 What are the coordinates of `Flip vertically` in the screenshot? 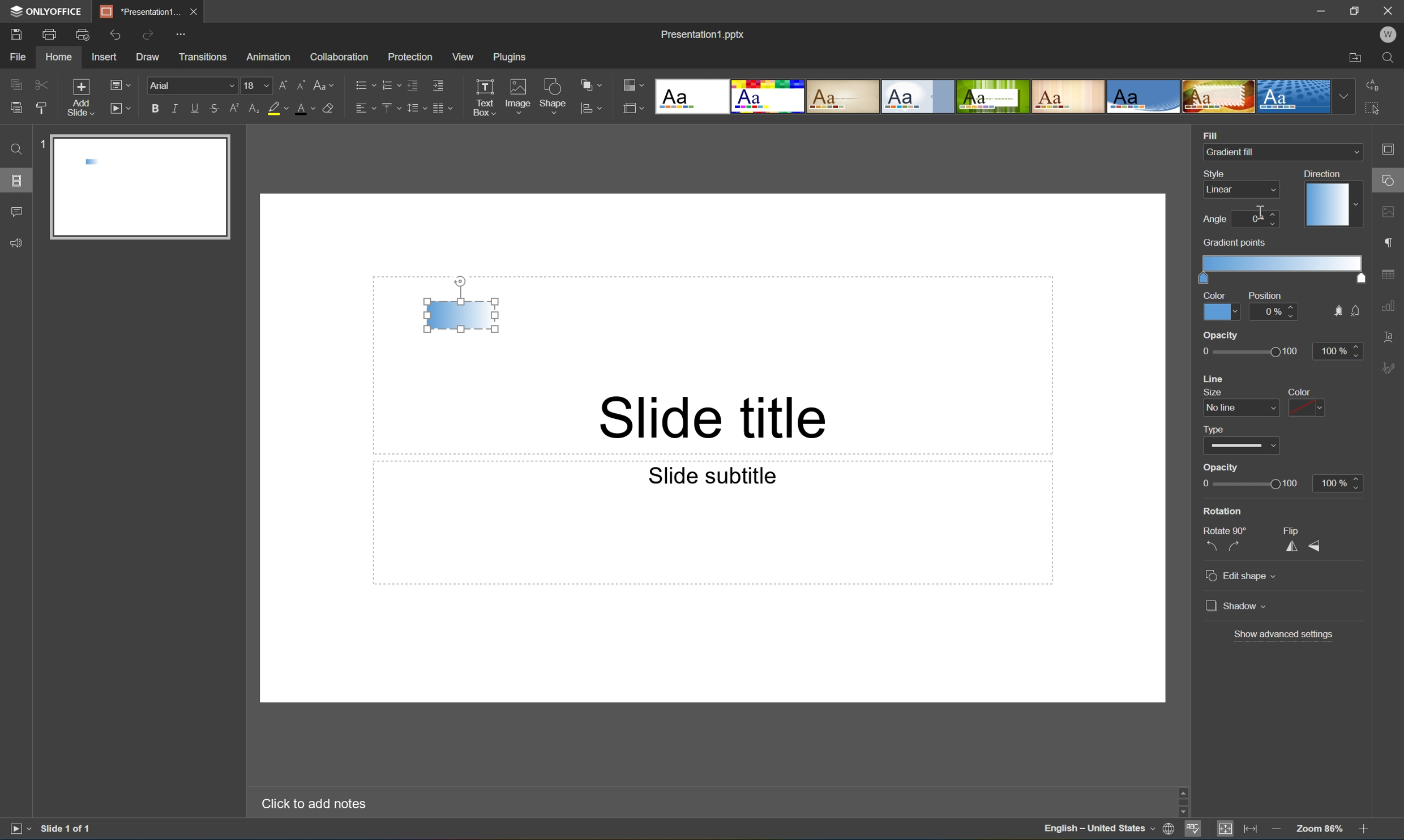 It's located at (1316, 547).